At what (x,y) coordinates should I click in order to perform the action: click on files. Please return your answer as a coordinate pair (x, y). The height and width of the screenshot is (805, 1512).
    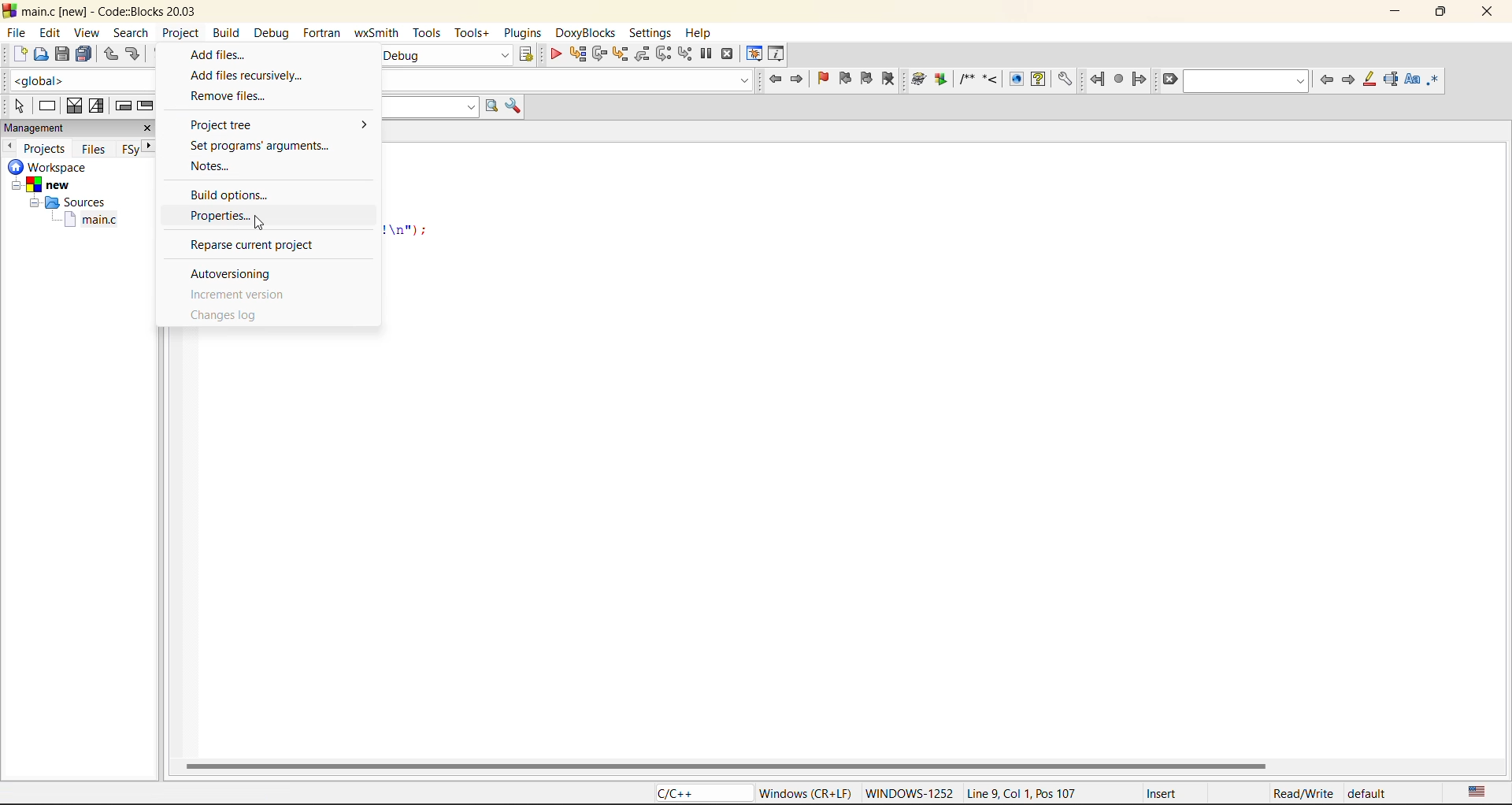
    Looking at the image, I should click on (94, 150).